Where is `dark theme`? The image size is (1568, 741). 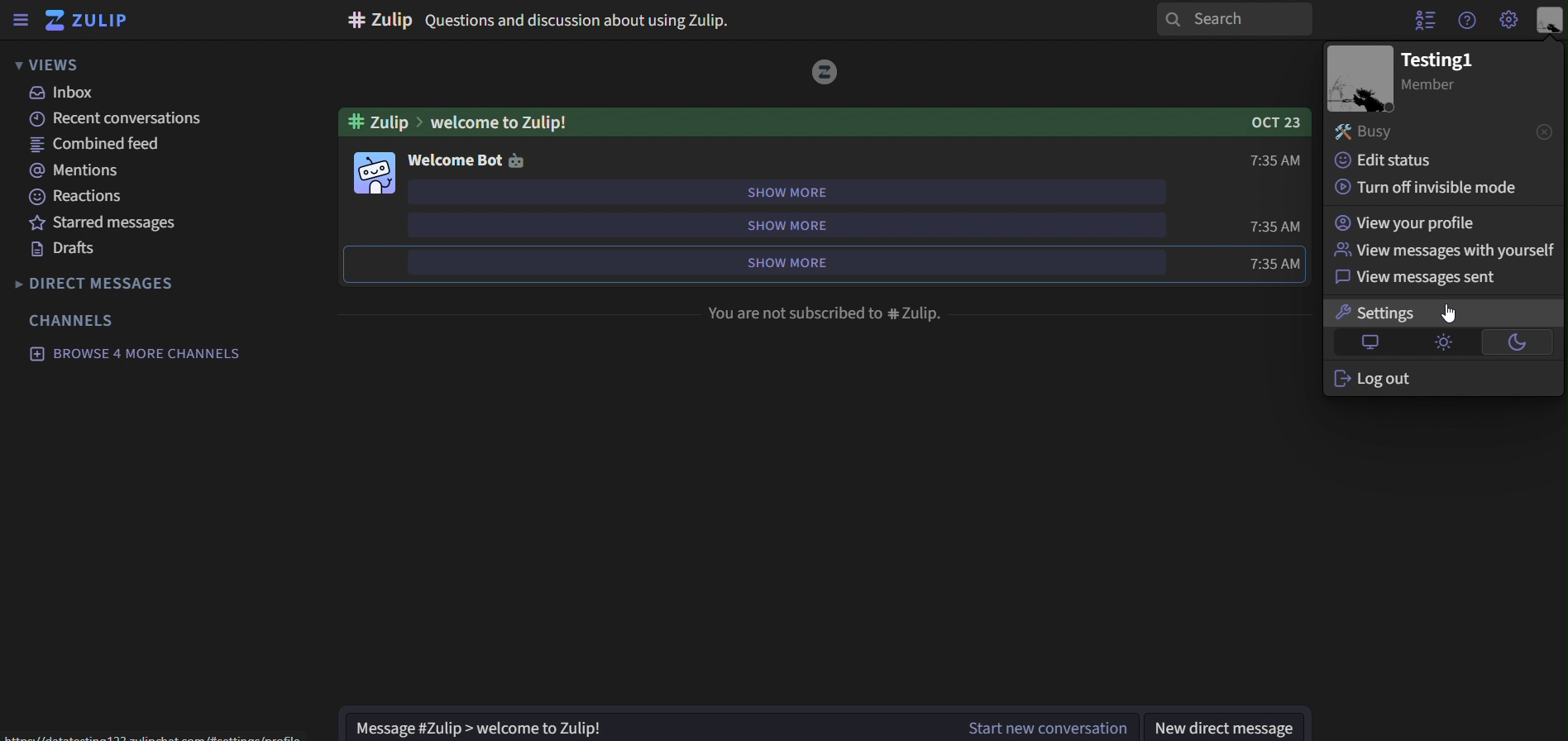
dark theme is located at coordinates (1514, 342).